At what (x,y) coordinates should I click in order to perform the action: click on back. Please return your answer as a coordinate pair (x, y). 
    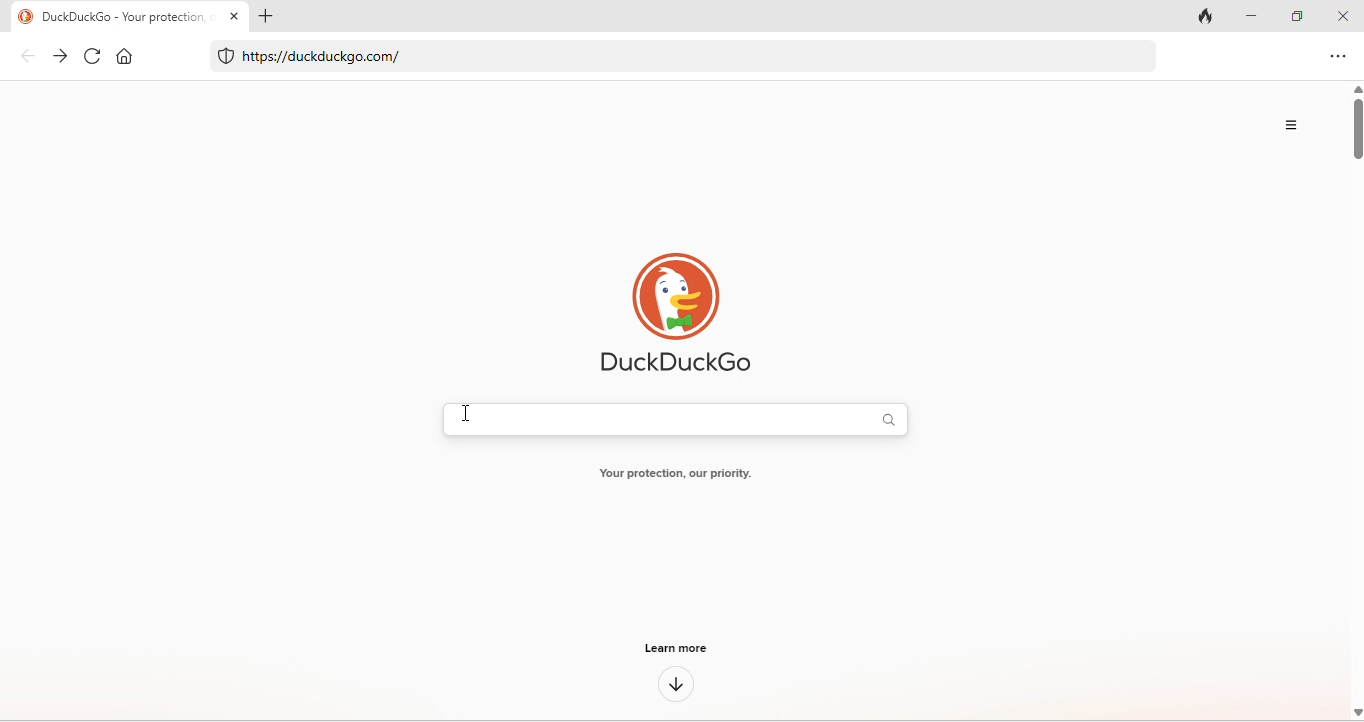
    Looking at the image, I should click on (29, 56).